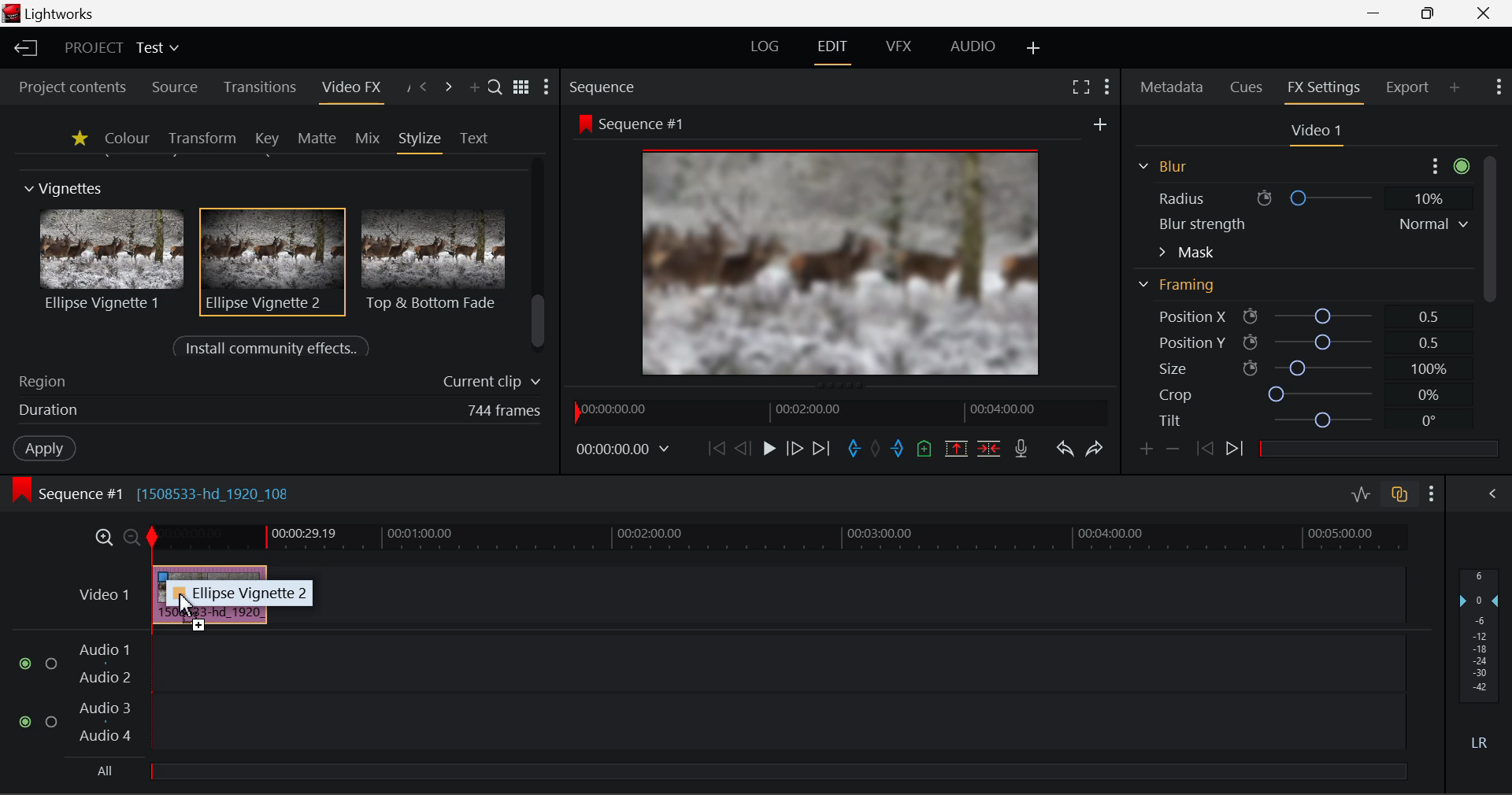  Describe the element at coordinates (1300, 196) in the screenshot. I see `Radius ® O 10%` at that location.